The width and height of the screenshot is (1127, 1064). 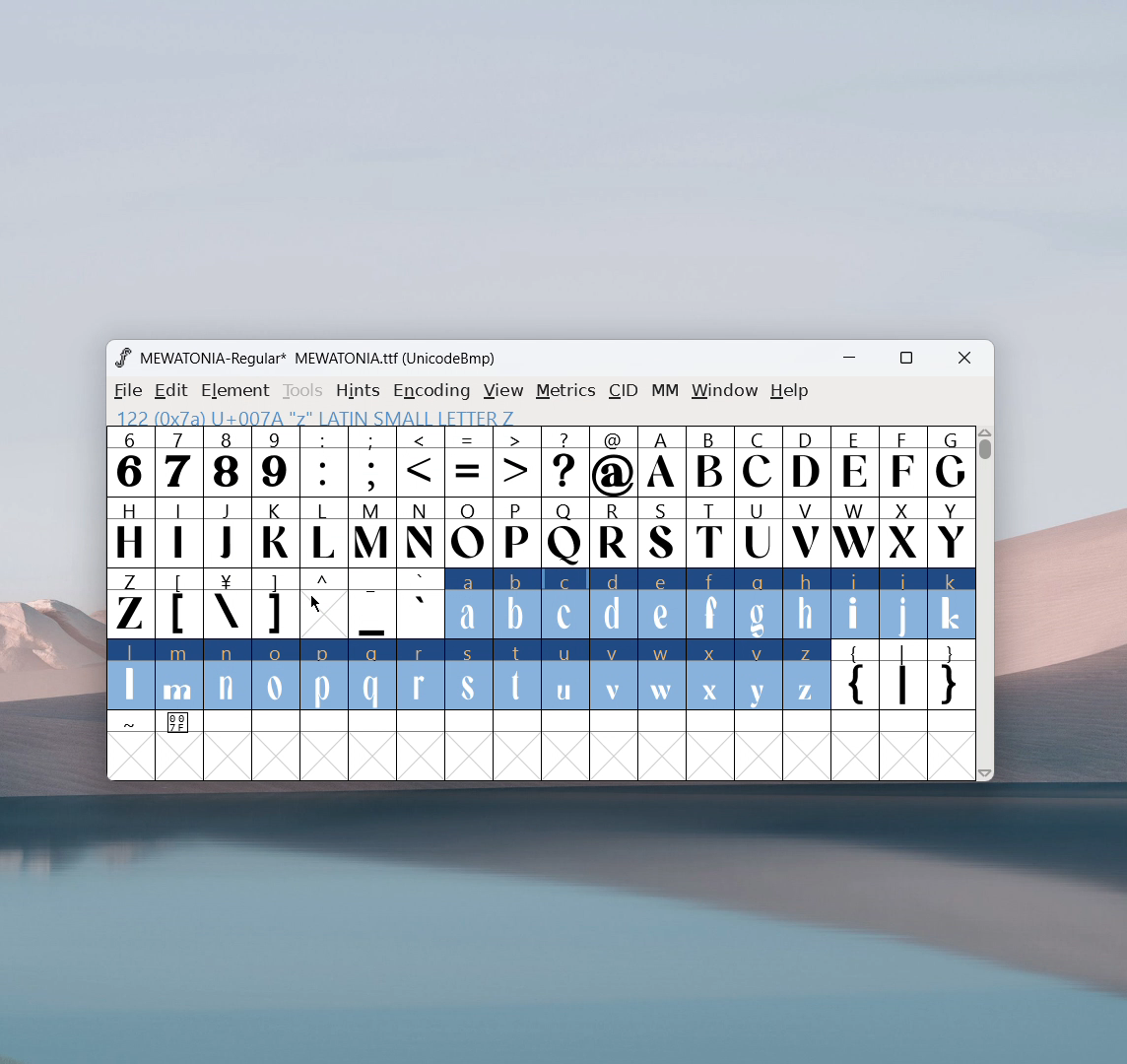 What do you see at coordinates (277, 532) in the screenshot?
I see `K` at bounding box center [277, 532].